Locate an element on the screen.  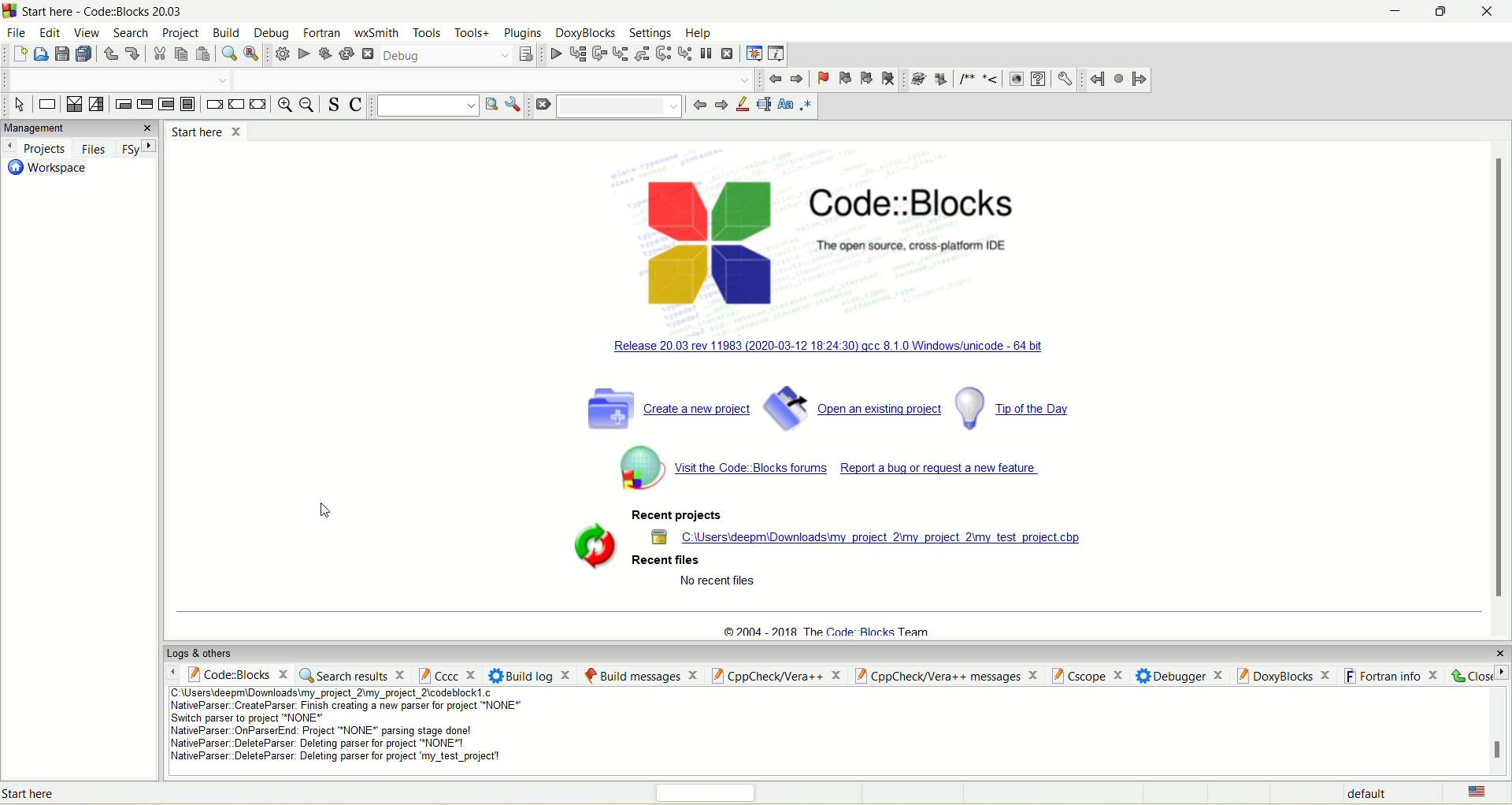
abort is located at coordinates (368, 54).